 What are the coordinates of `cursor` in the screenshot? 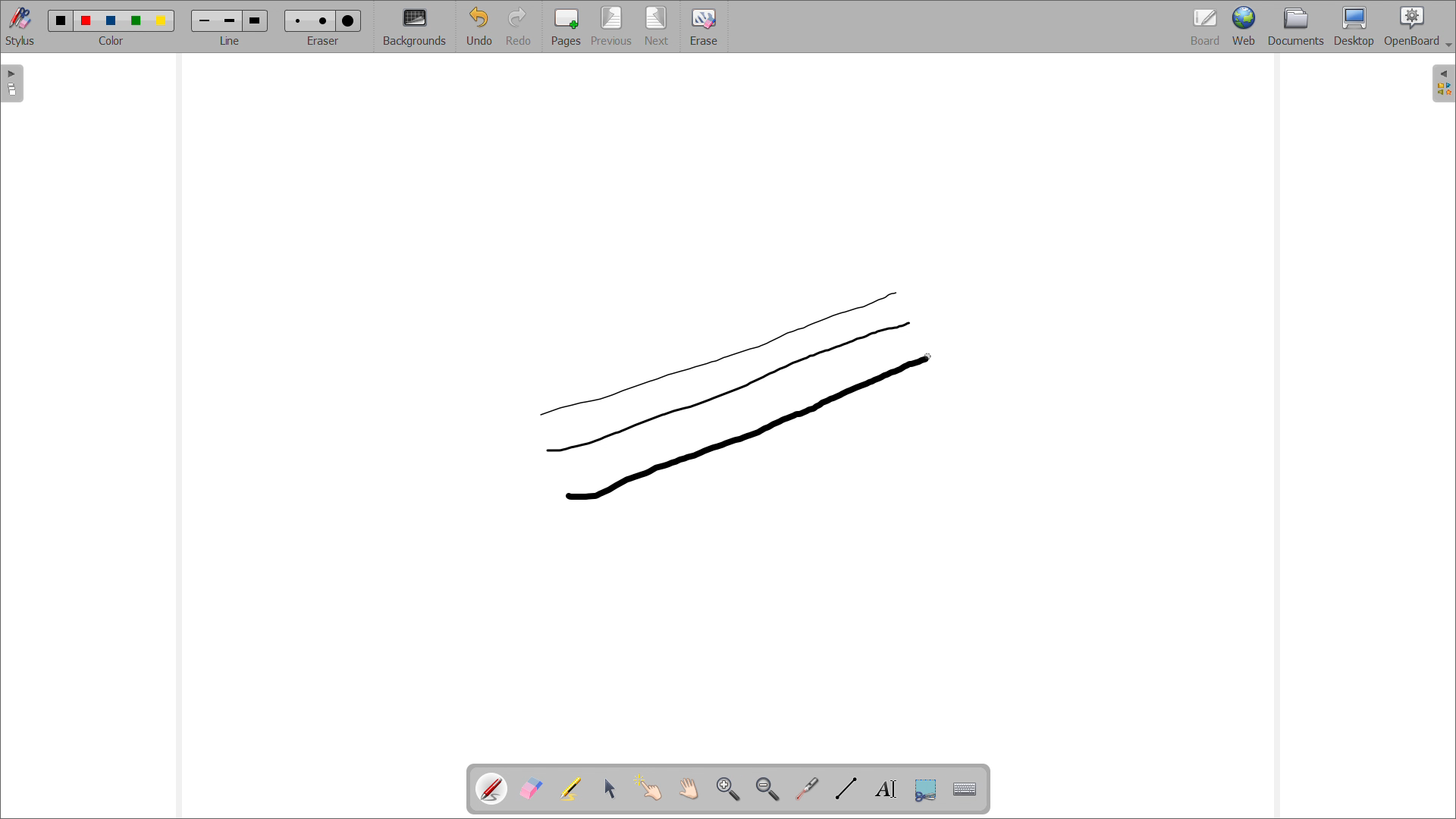 It's located at (930, 356).